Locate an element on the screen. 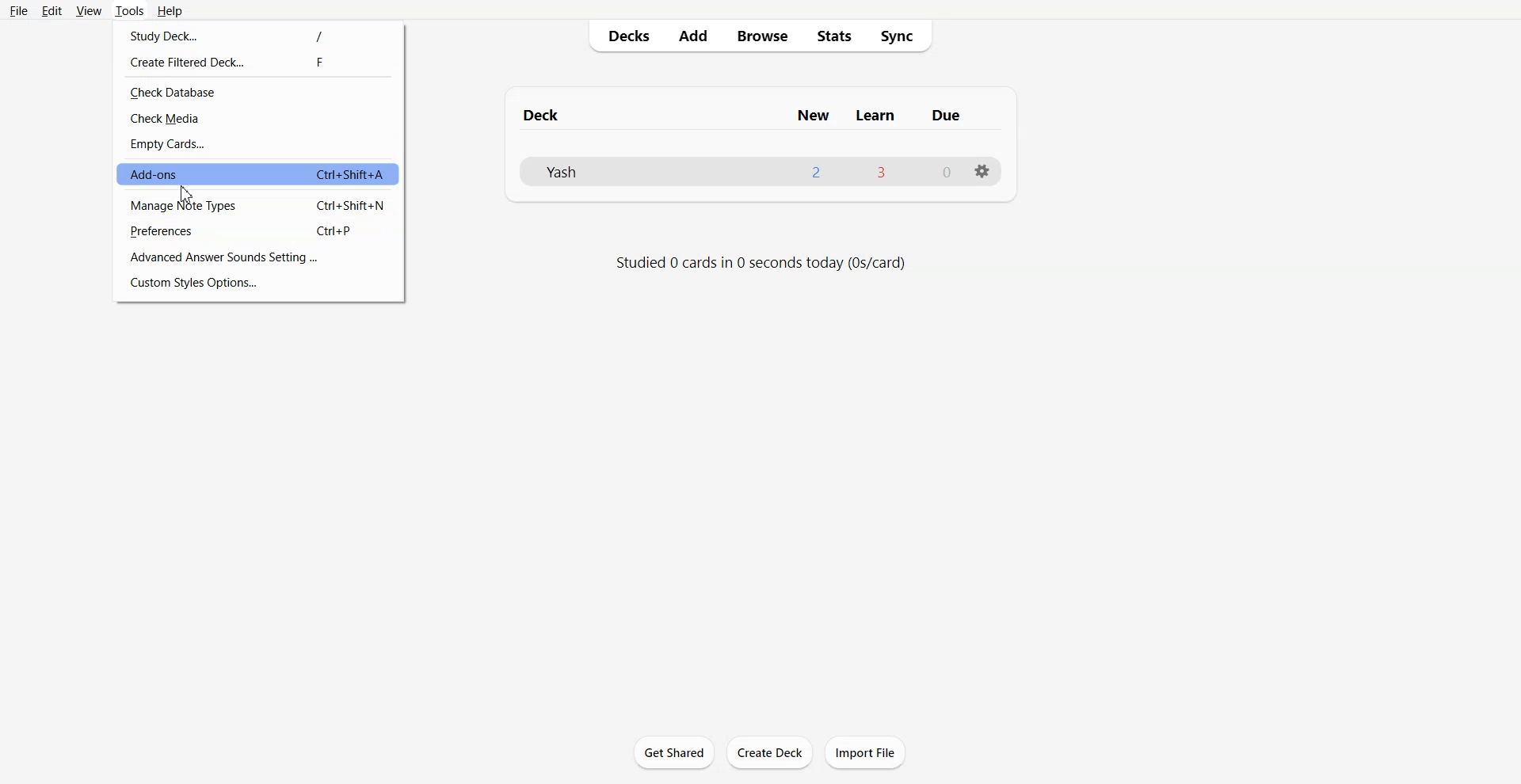  Learn is located at coordinates (874, 114).